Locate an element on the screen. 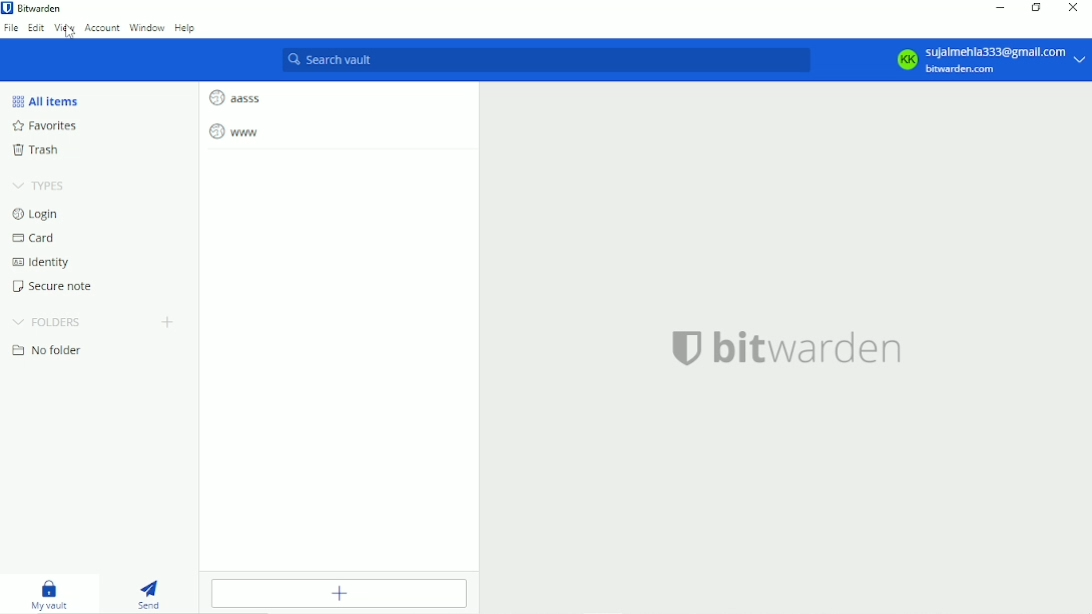  bitwarden is located at coordinates (786, 346).